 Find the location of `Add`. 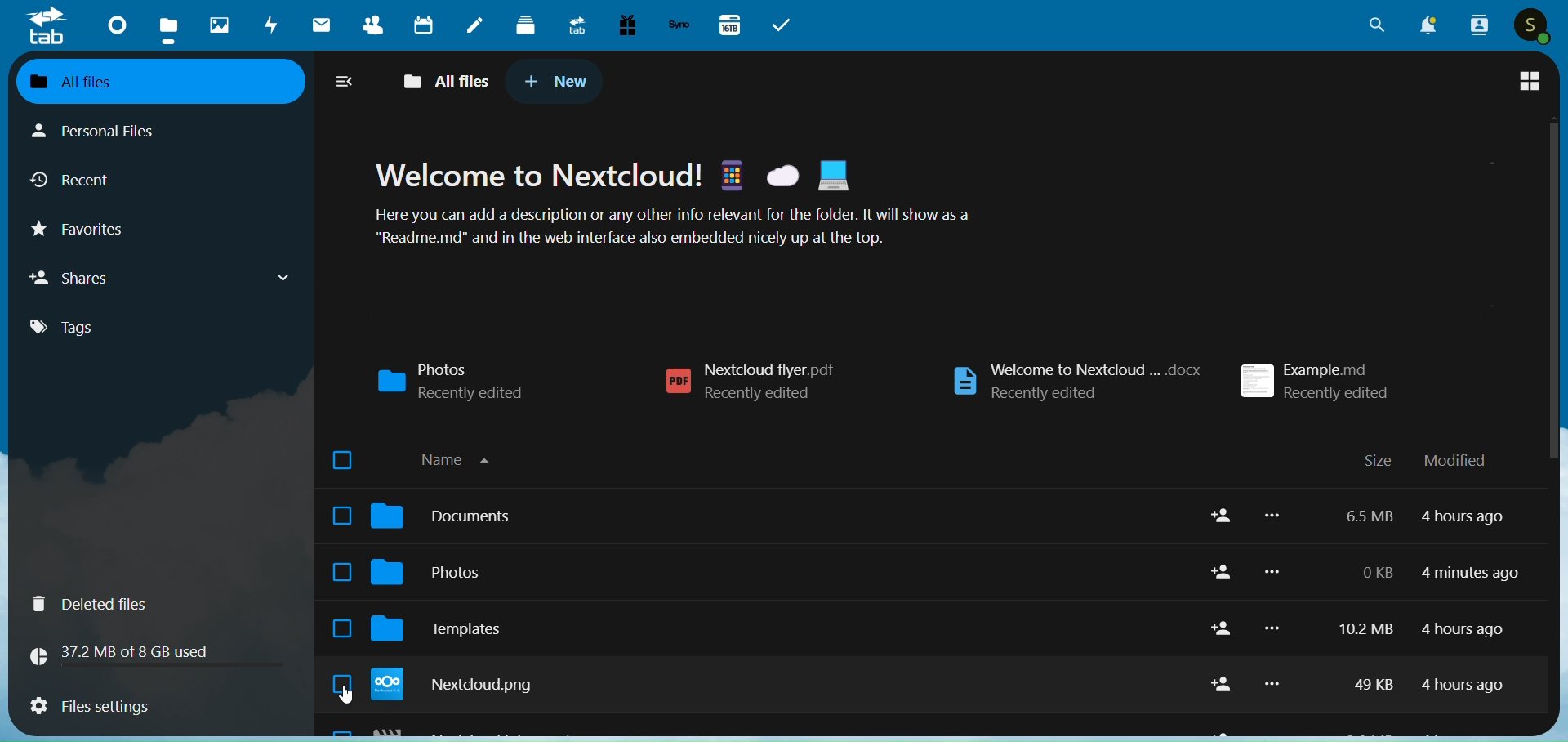

Add is located at coordinates (1223, 516).